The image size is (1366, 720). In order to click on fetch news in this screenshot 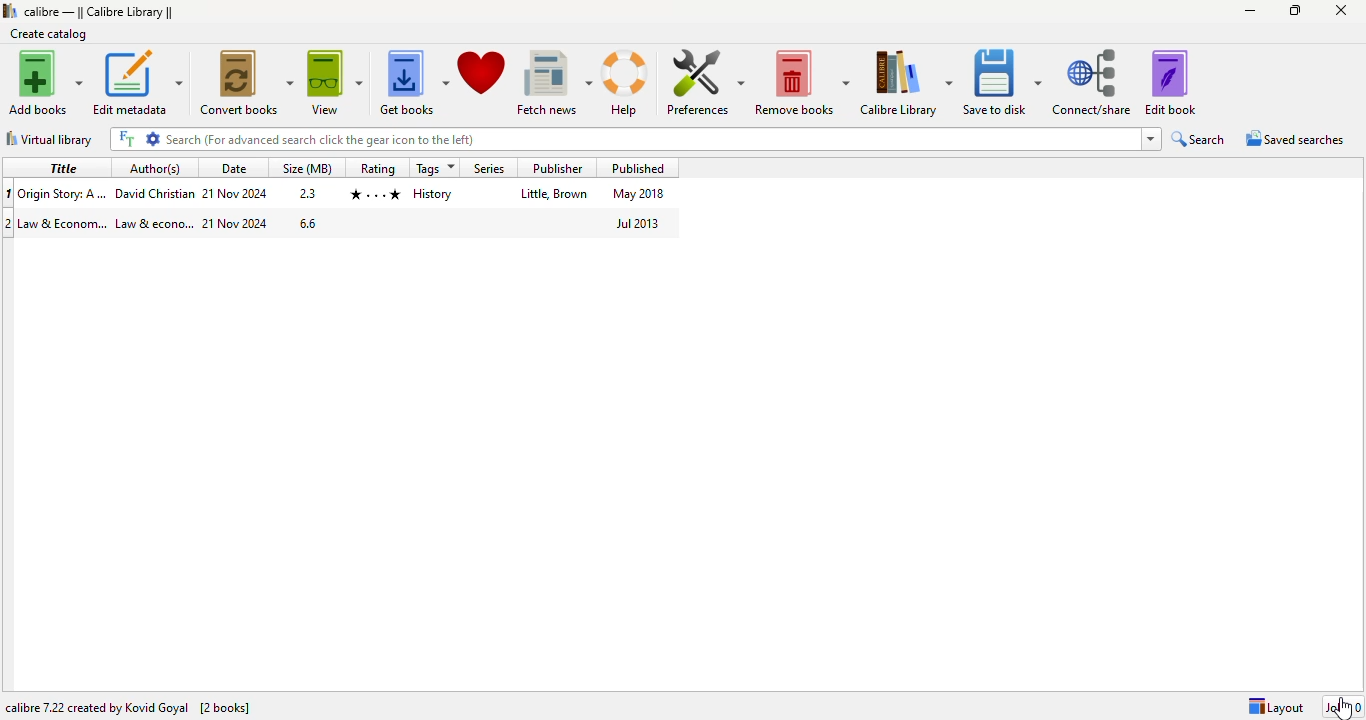, I will do `click(555, 83)`.